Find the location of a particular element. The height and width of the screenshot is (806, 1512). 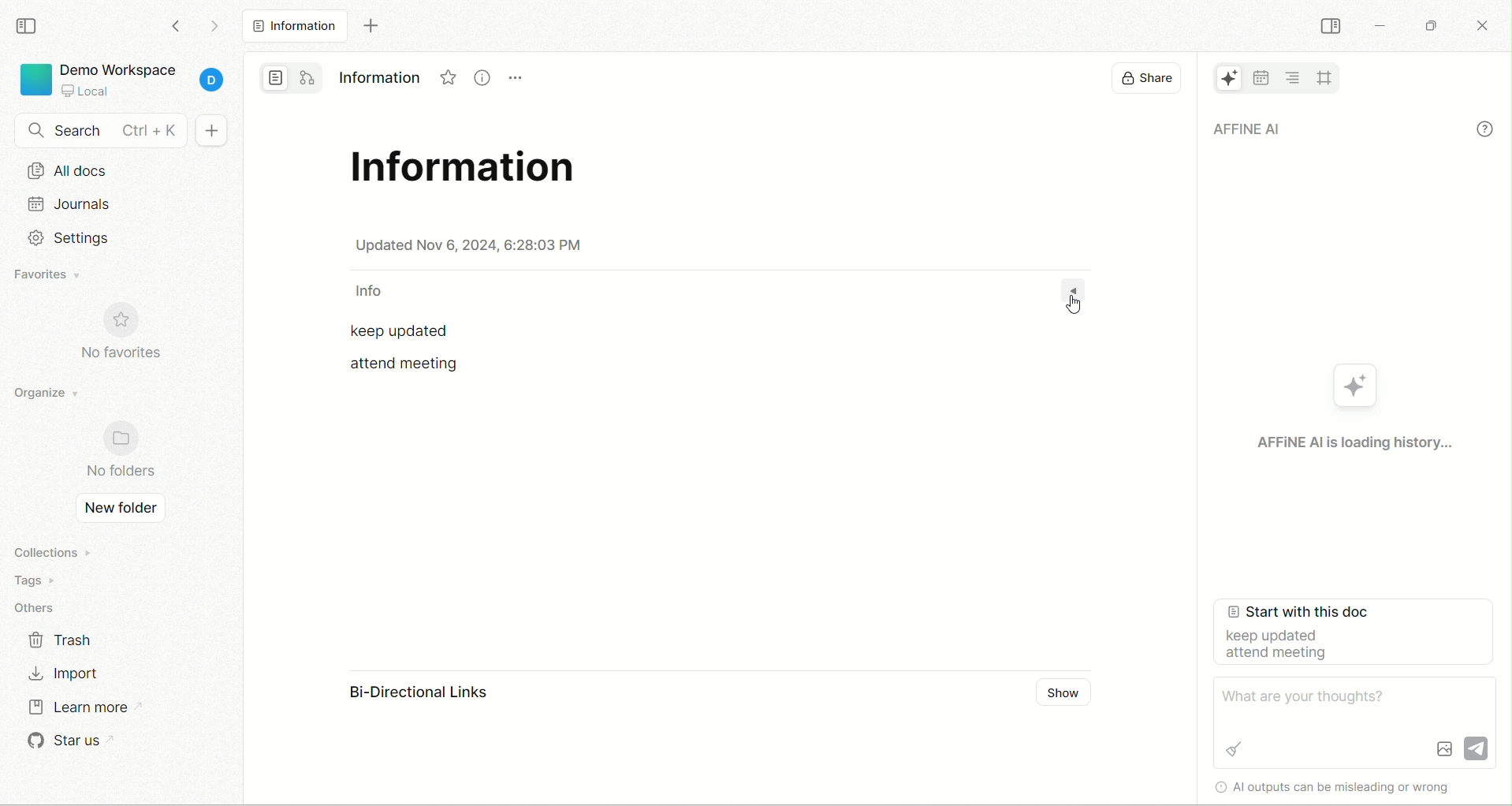

logo is located at coordinates (34, 82).